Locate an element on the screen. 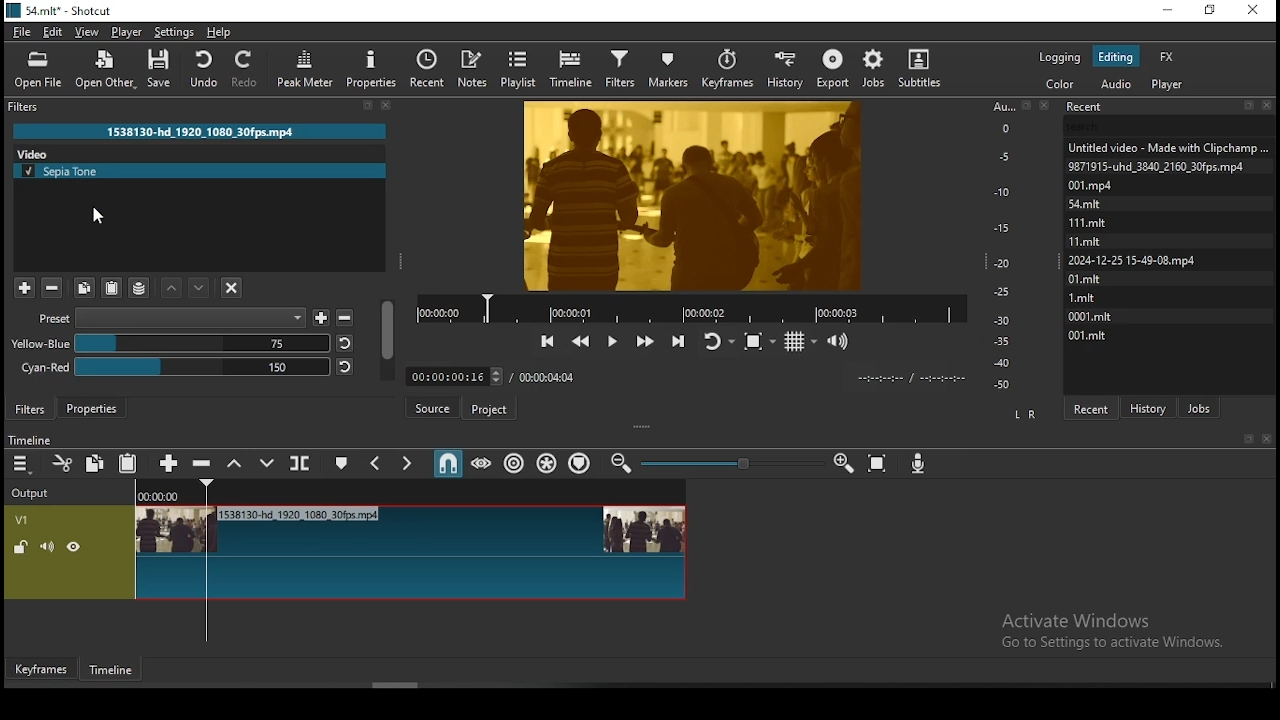 The image size is (1280, 720). mouse pointer is located at coordinates (99, 218).